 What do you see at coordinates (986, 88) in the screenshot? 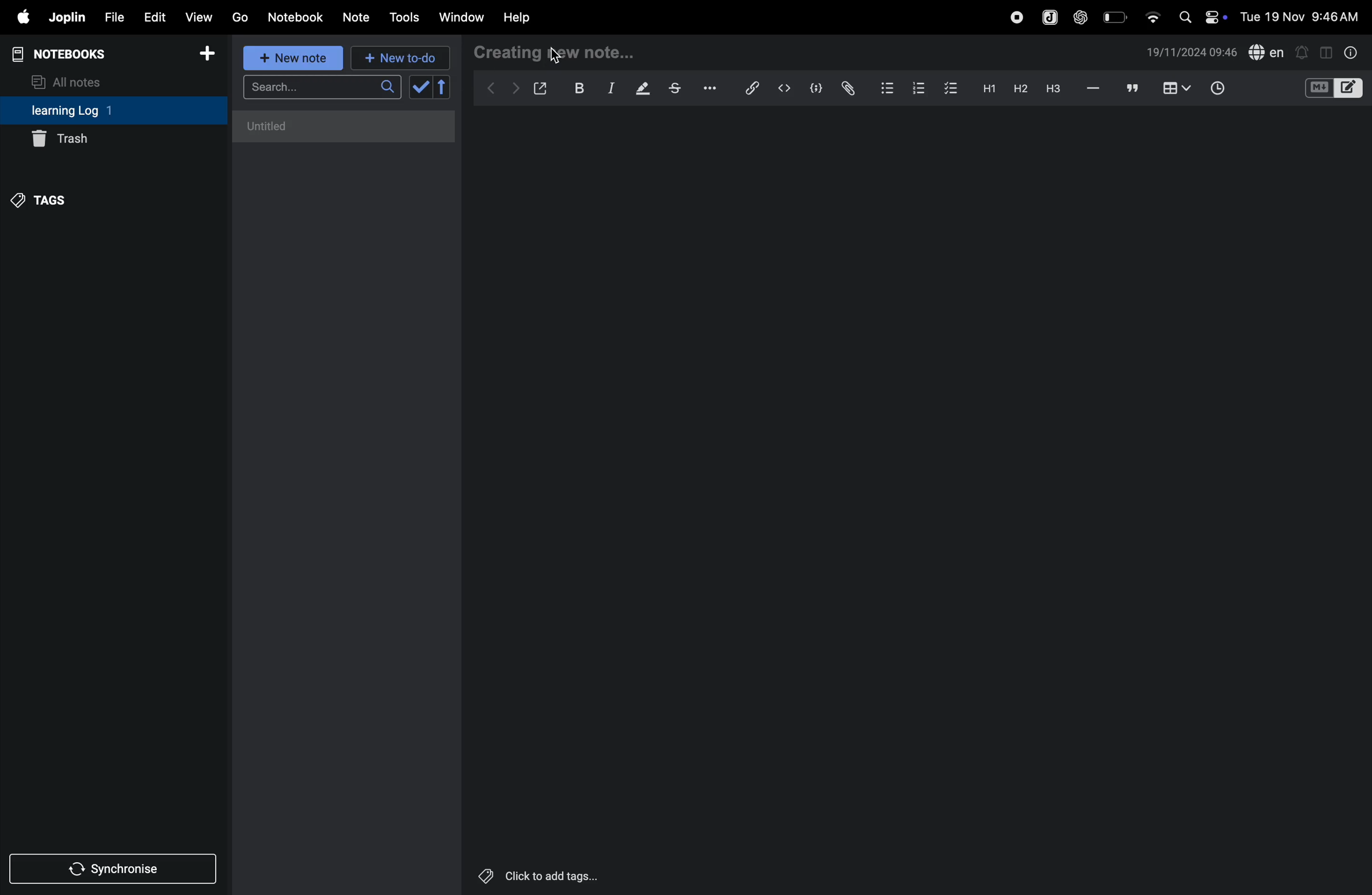
I see `h1` at bounding box center [986, 88].